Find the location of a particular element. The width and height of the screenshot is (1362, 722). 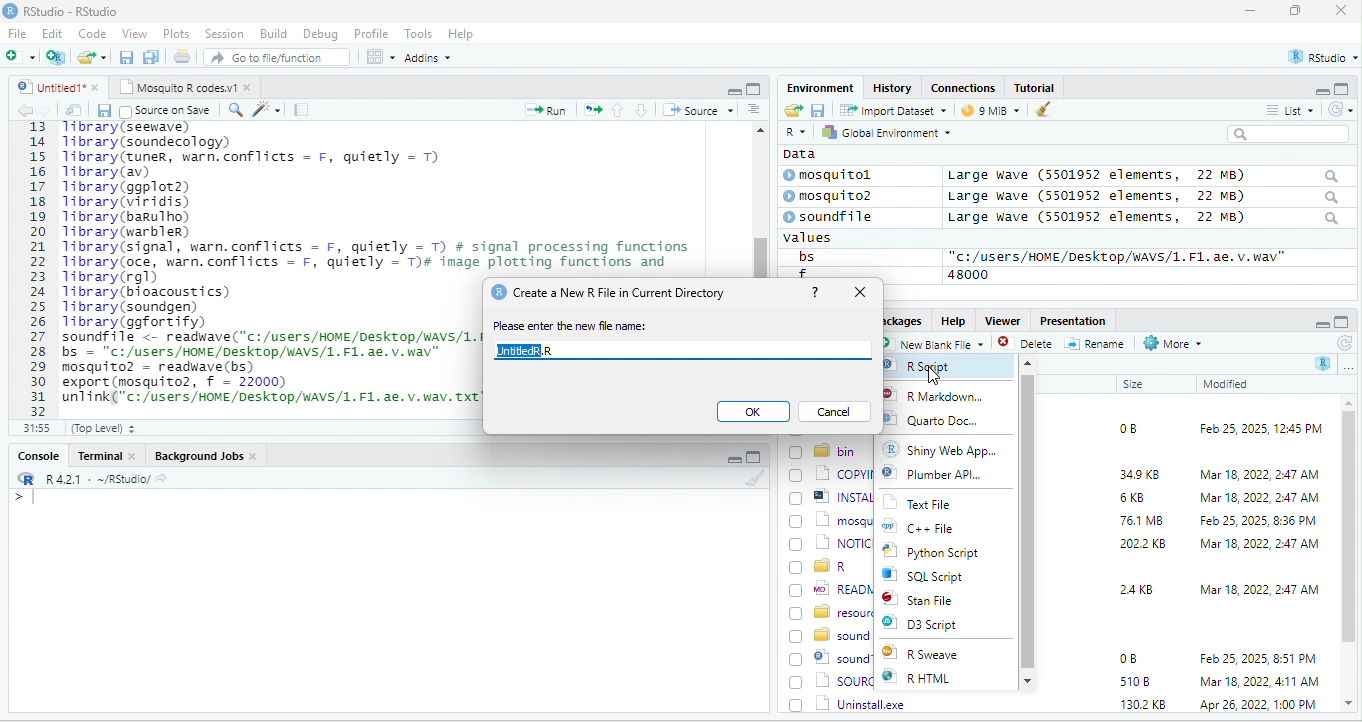

scroll bar is located at coordinates (1349, 554).